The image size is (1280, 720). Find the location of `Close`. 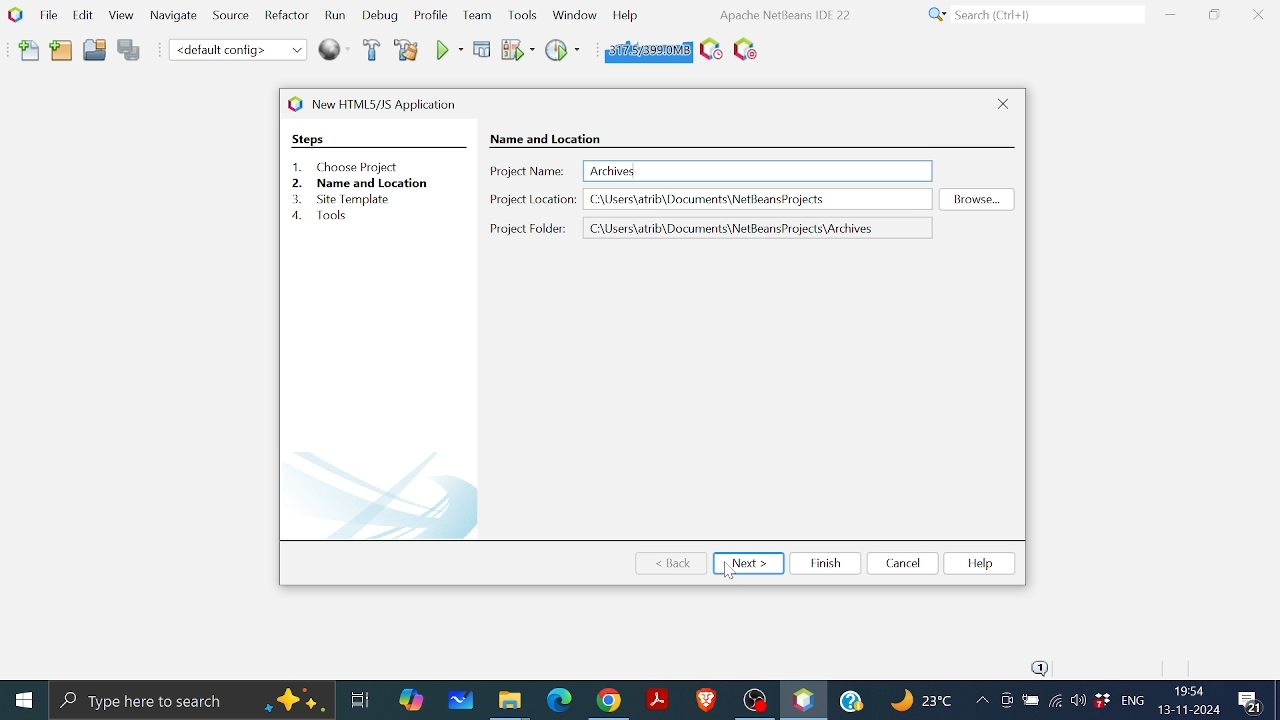

Close is located at coordinates (1258, 15).